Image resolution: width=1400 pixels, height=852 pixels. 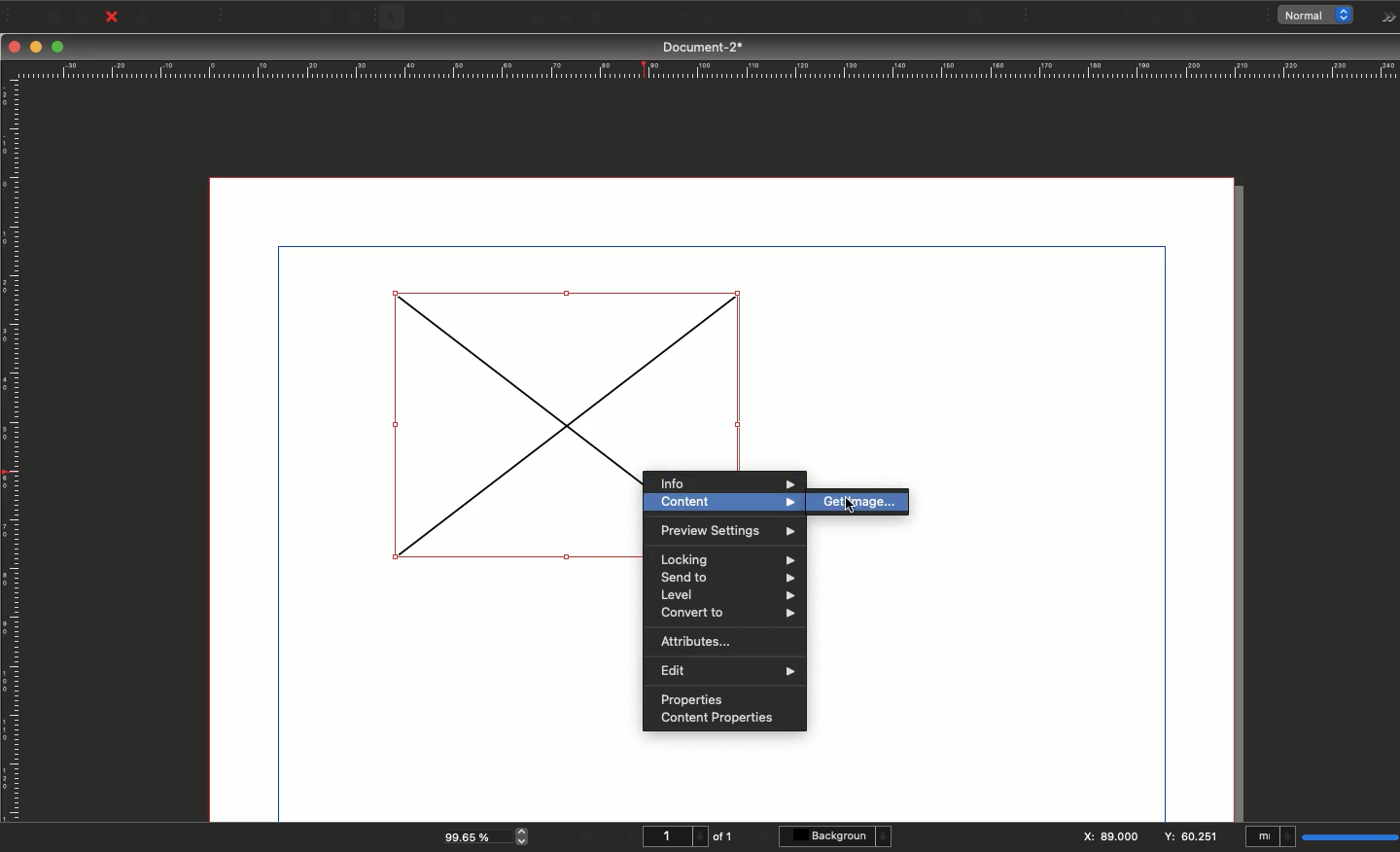 What do you see at coordinates (862, 504) in the screenshot?
I see `Get Image...` at bounding box center [862, 504].